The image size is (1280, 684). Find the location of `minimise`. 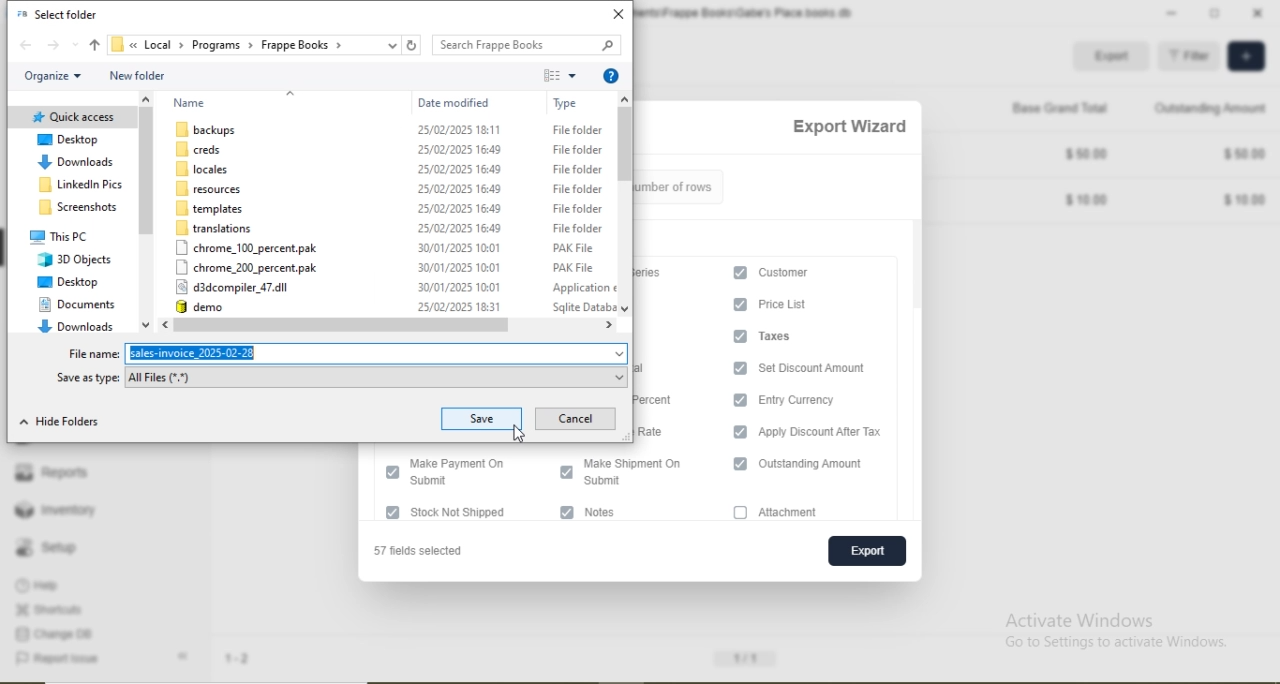

minimise is located at coordinates (1171, 12).